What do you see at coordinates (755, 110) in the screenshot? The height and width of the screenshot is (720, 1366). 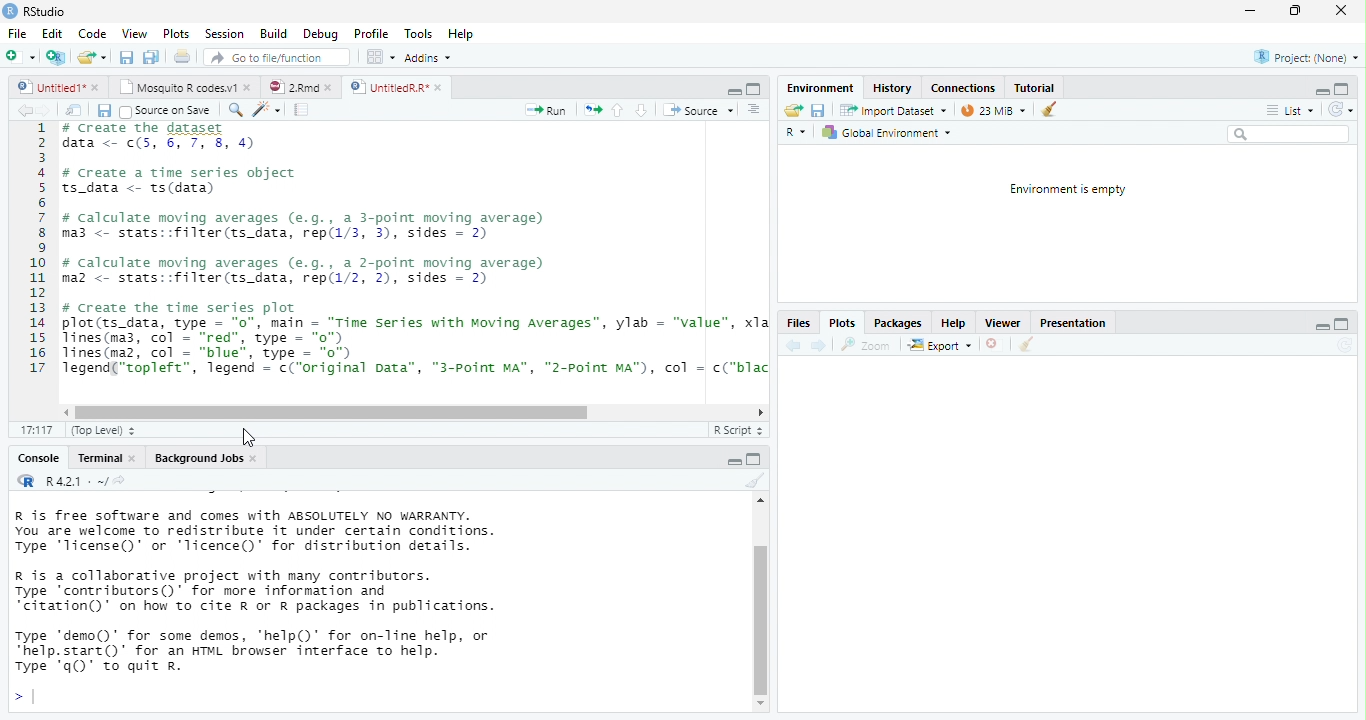 I see `Document outline` at bounding box center [755, 110].